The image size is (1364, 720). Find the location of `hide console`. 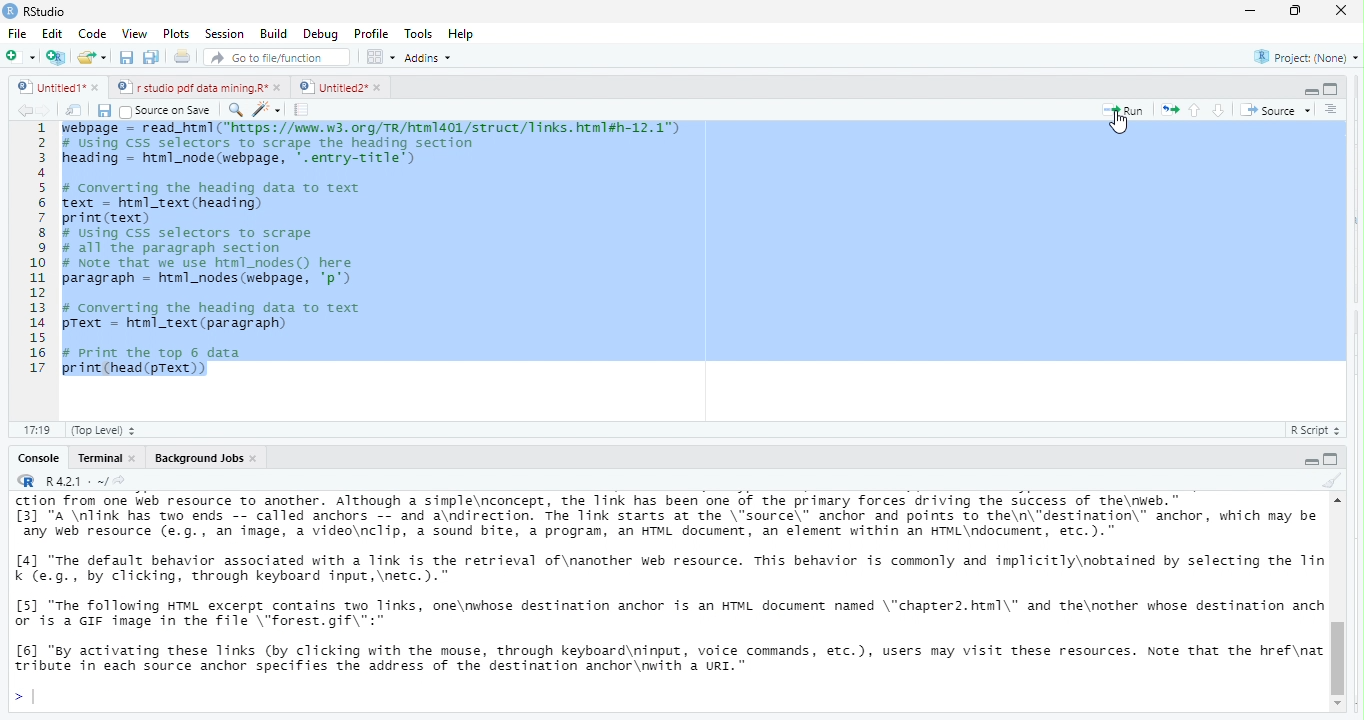

hide console is located at coordinates (1329, 459).